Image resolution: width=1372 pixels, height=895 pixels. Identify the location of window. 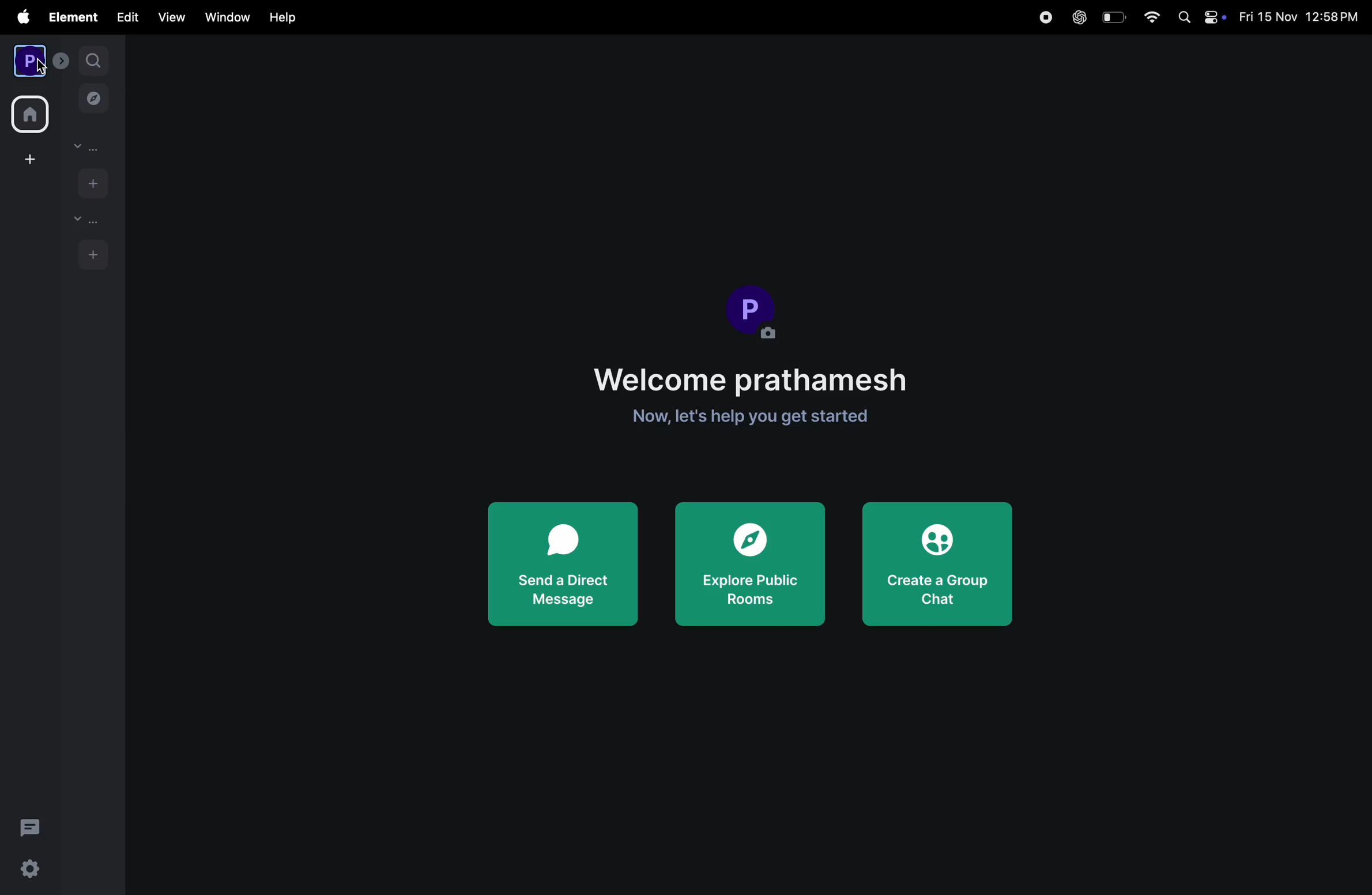
(225, 16).